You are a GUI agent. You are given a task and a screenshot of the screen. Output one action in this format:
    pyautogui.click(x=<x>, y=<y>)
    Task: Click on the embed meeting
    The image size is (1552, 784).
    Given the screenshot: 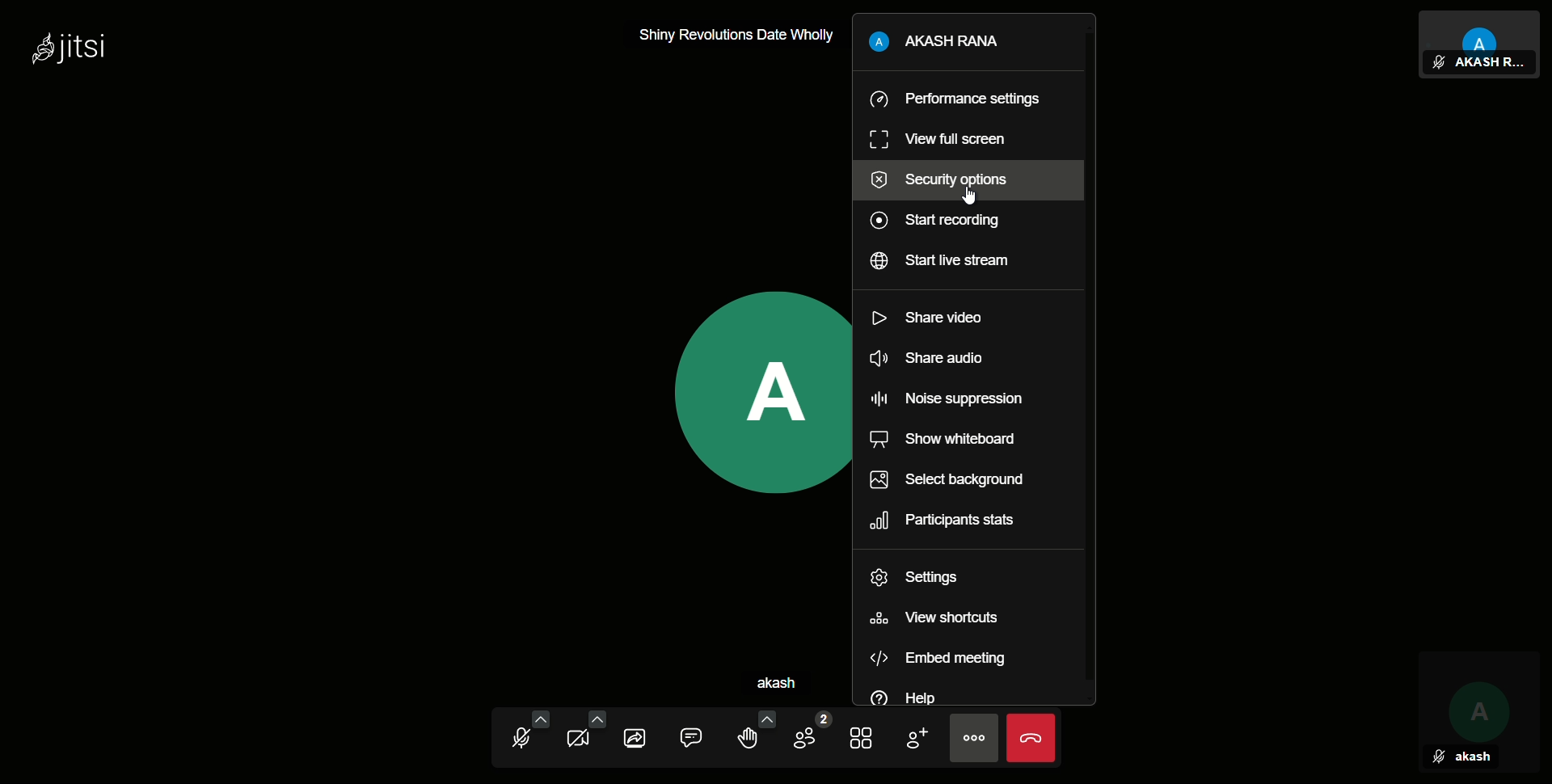 What is the action you would take?
    pyautogui.click(x=938, y=661)
    